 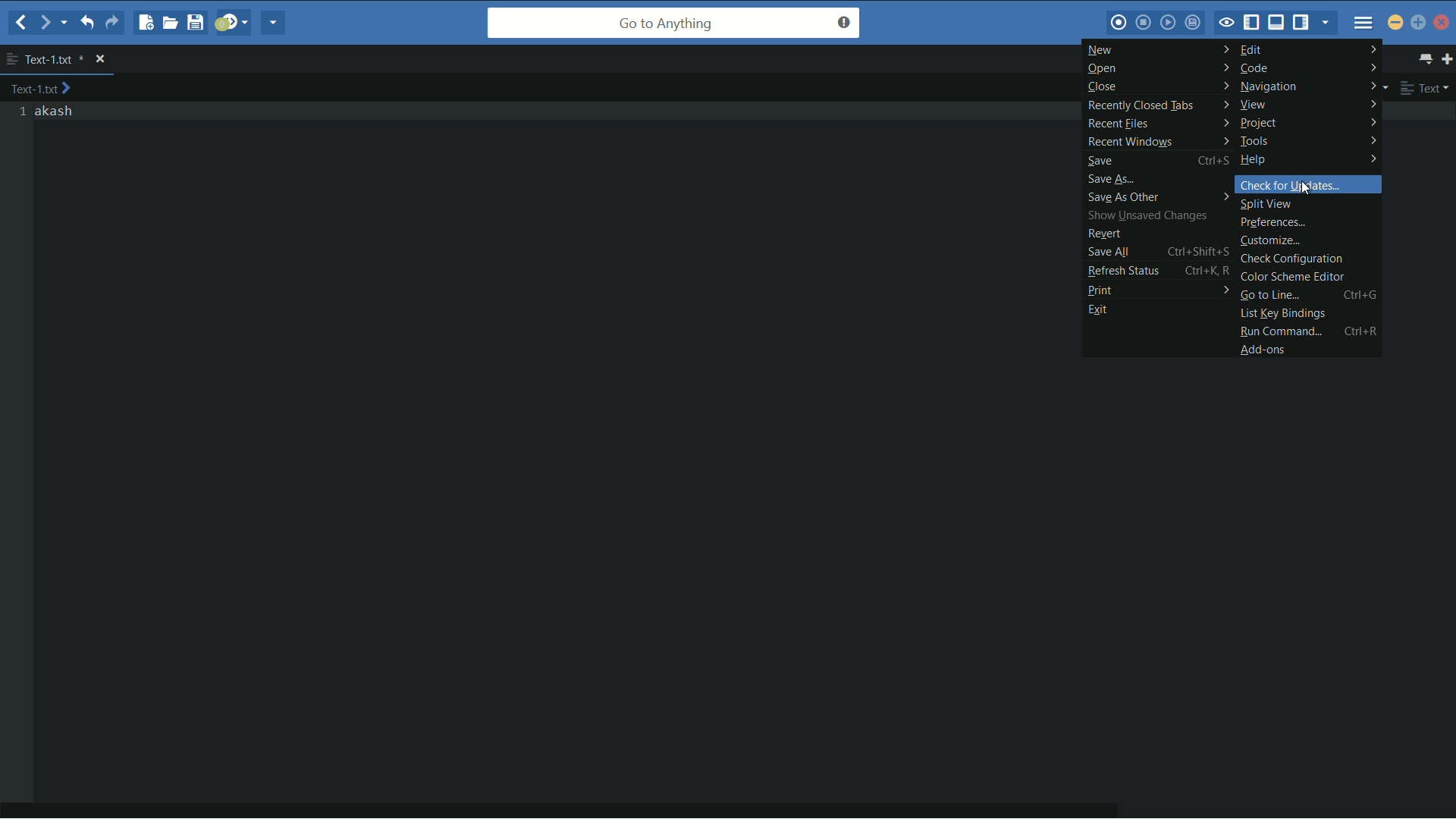 What do you see at coordinates (171, 23) in the screenshot?
I see `open file` at bounding box center [171, 23].